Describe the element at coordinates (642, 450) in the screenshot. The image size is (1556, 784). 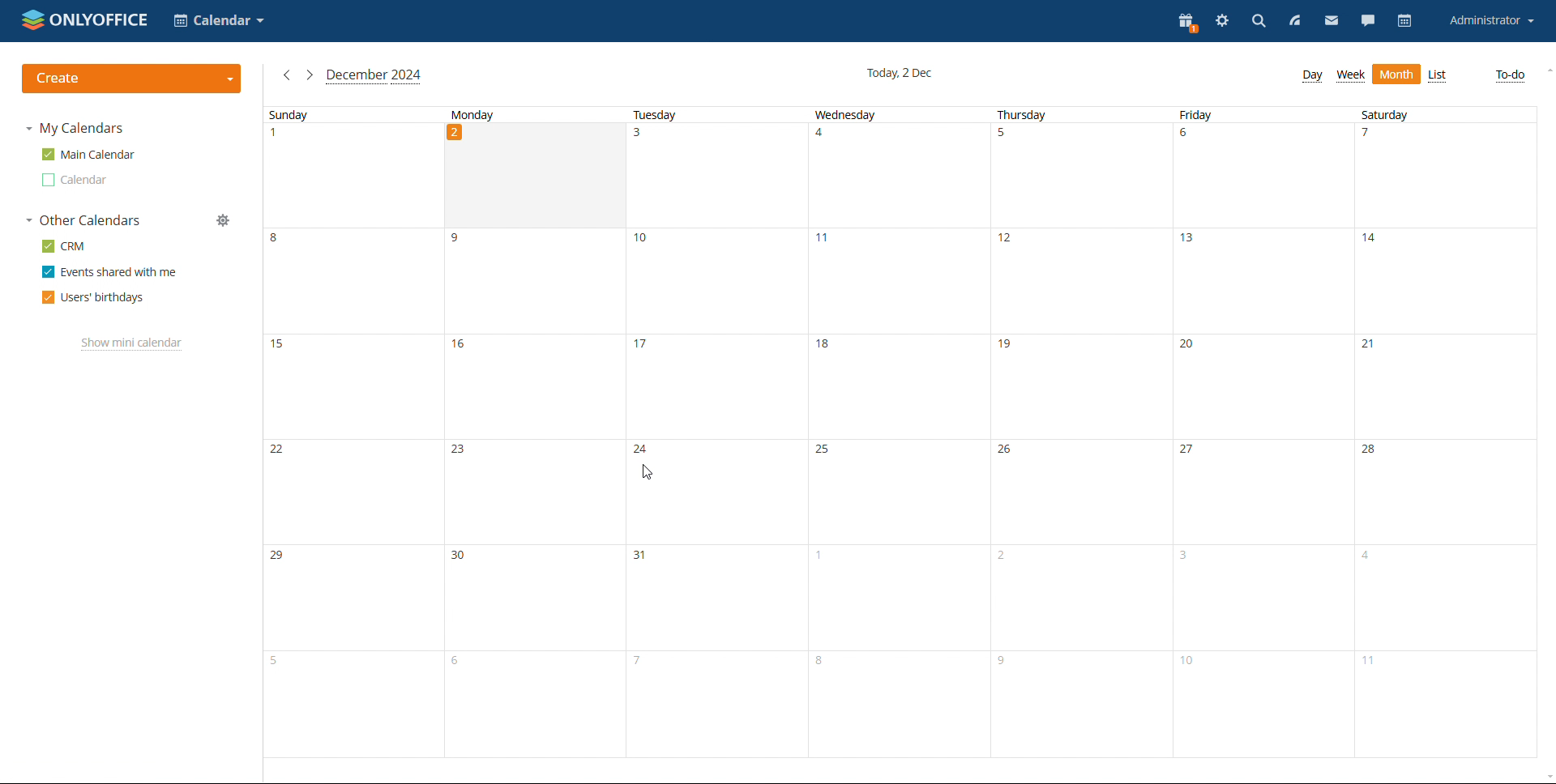
I see `24` at that location.